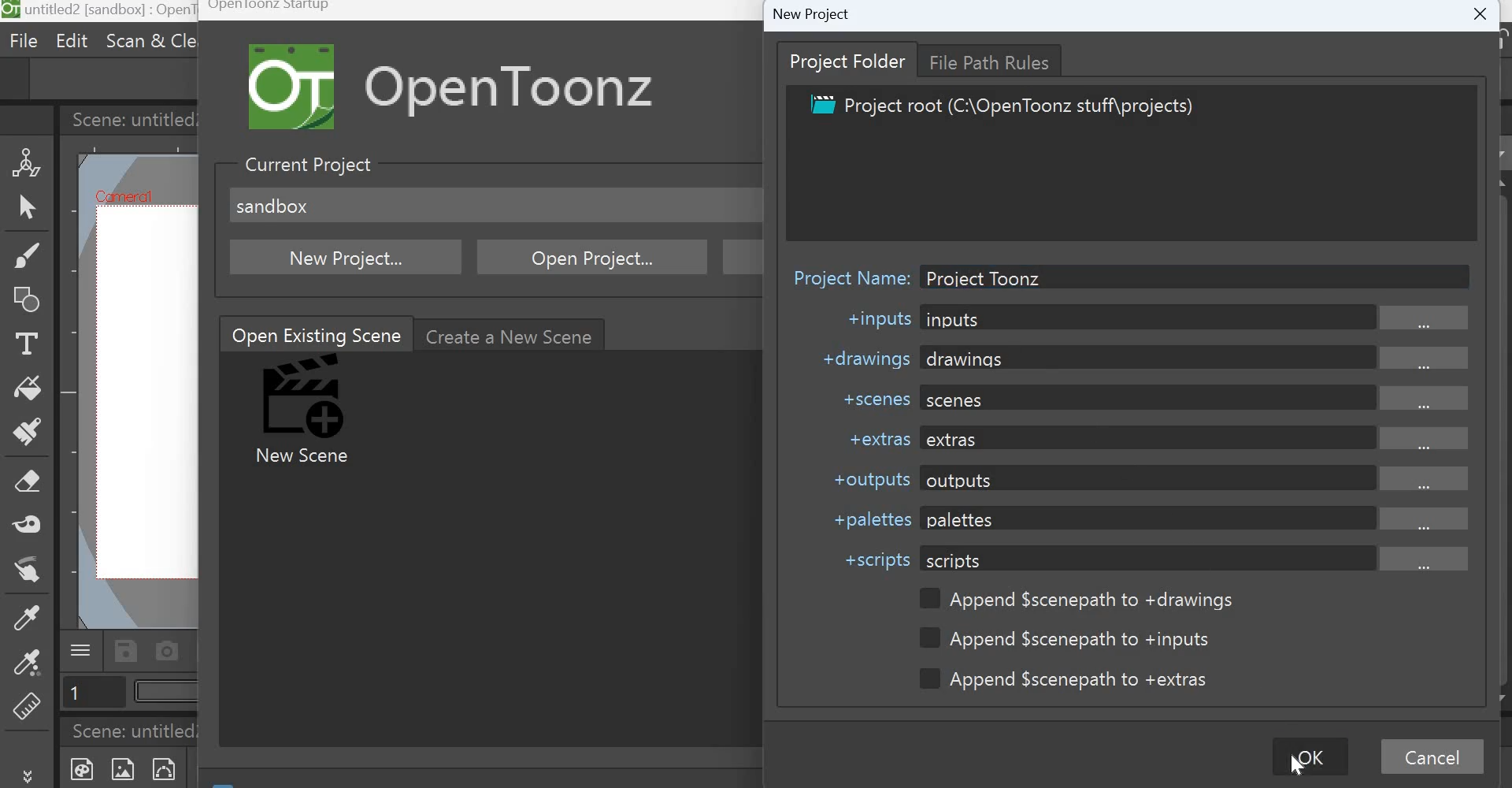 This screenshot has width=1512, height=788. Describe the element at coordinates (272, 206) in the screenshot. I see `sandbox` at that location.